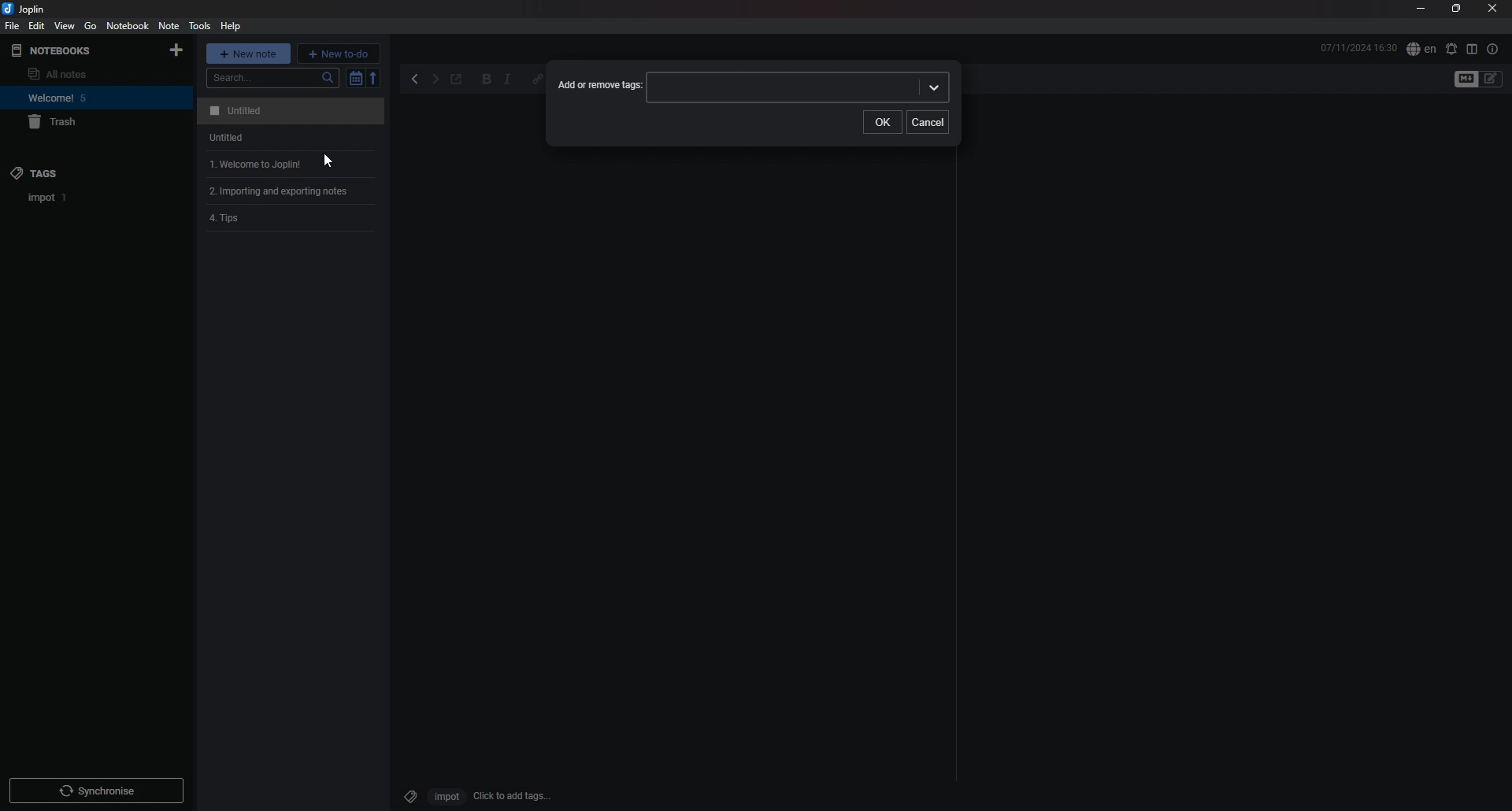 Image resolution: width=1512 pixels, height=811 pixels. I want to click on all notes, so click(76, 74).